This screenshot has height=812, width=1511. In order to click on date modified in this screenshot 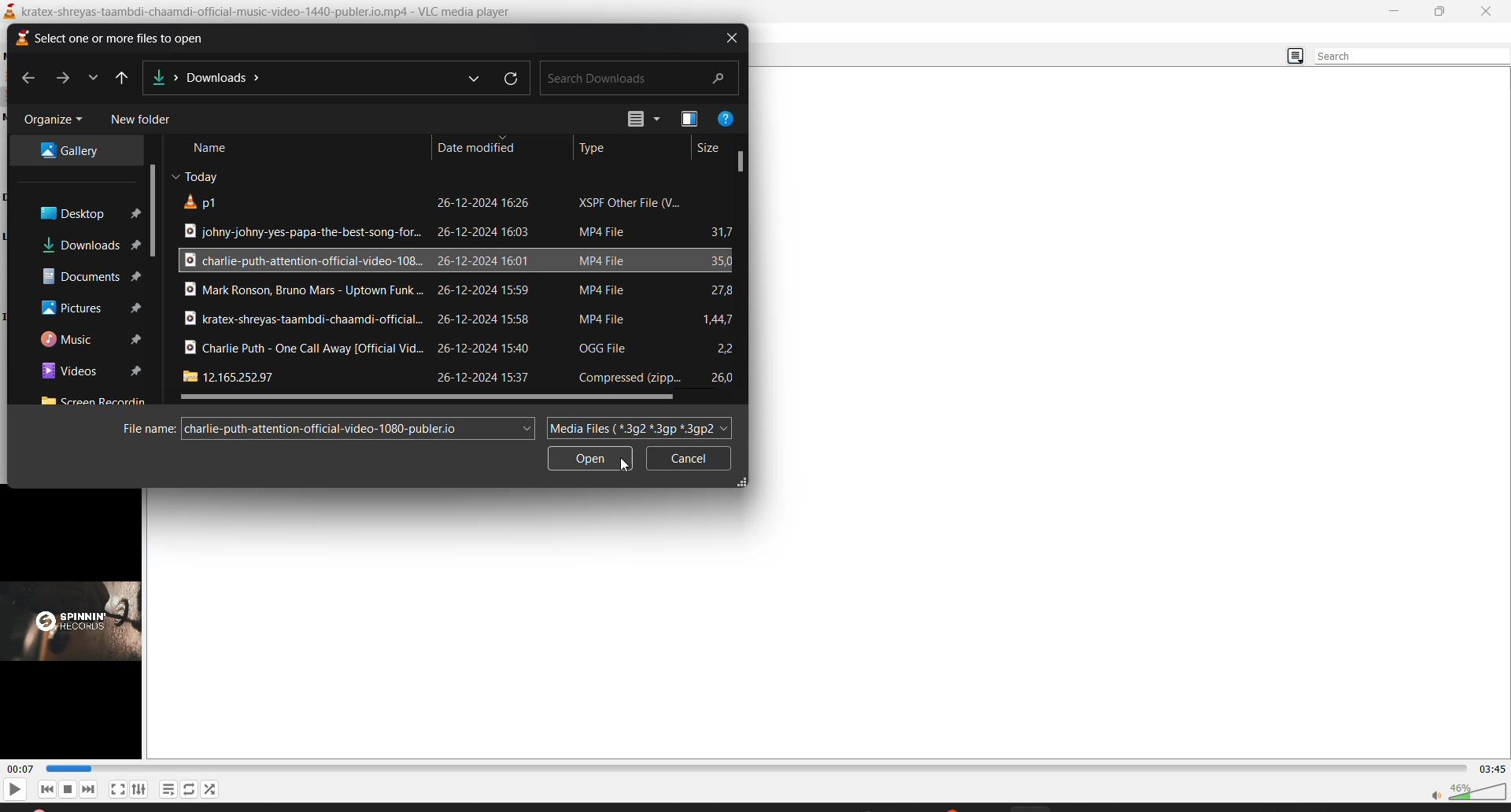, I will do `click(490, 321)`.